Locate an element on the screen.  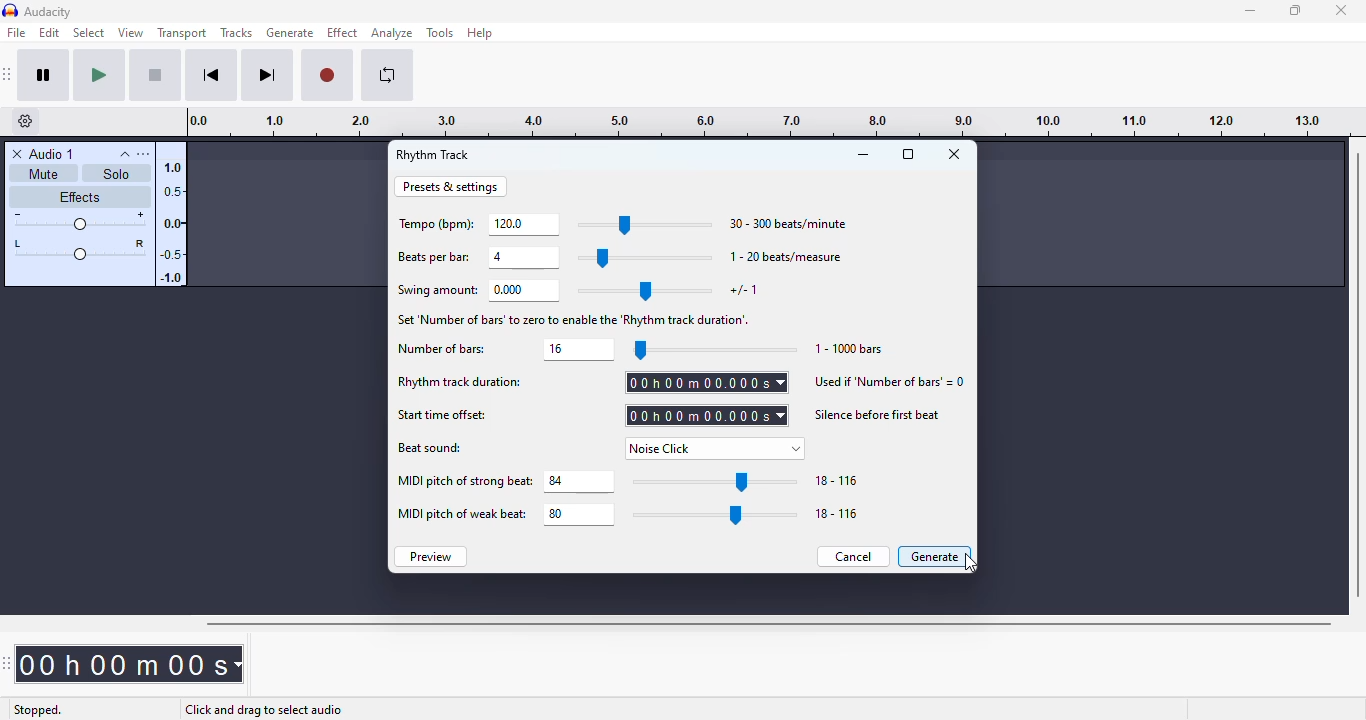
audacity time toolbar is located at coordinates (7, 662).